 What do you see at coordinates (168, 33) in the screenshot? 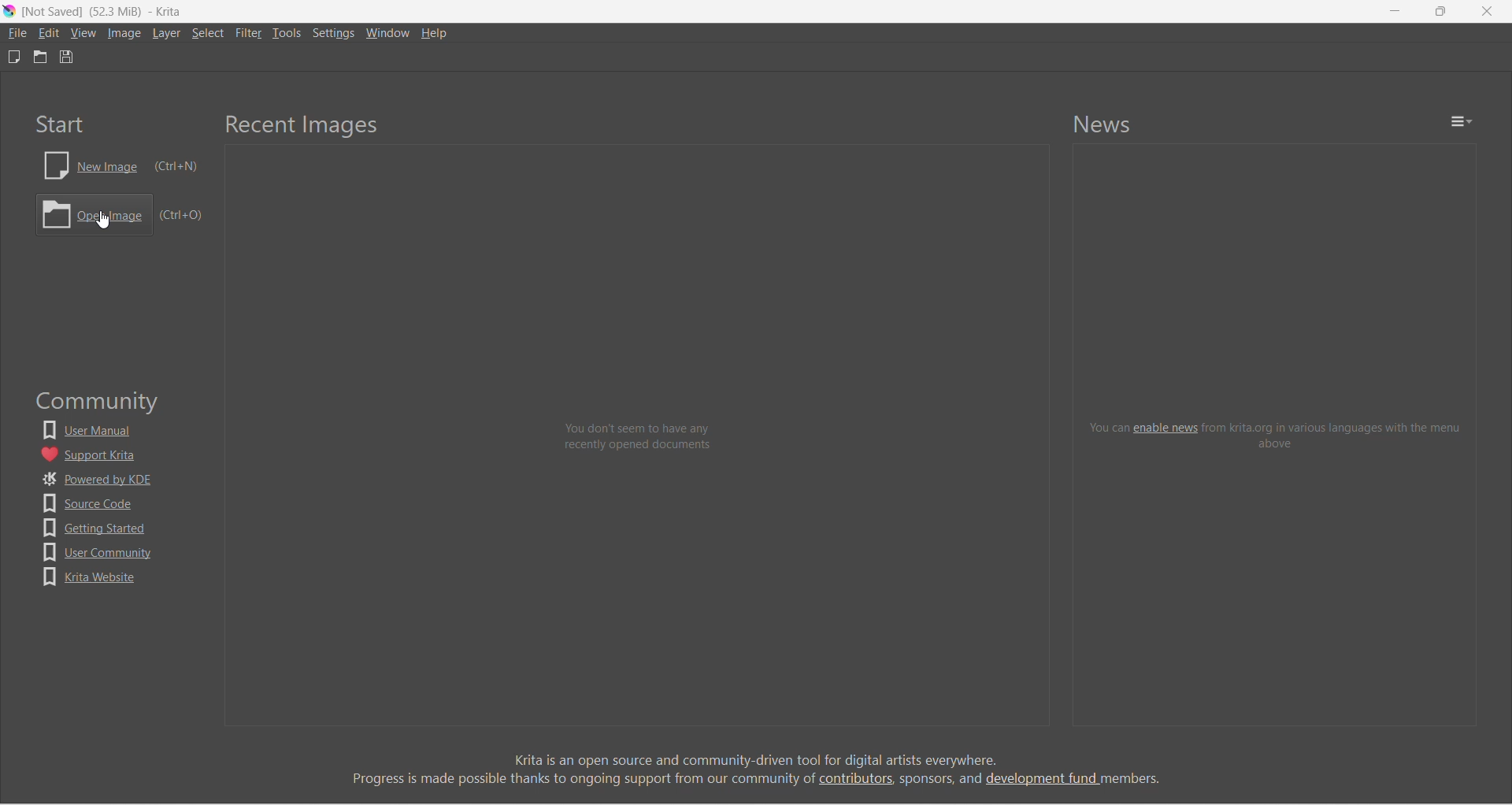
I see `layer` at bounding box center [168, 33].